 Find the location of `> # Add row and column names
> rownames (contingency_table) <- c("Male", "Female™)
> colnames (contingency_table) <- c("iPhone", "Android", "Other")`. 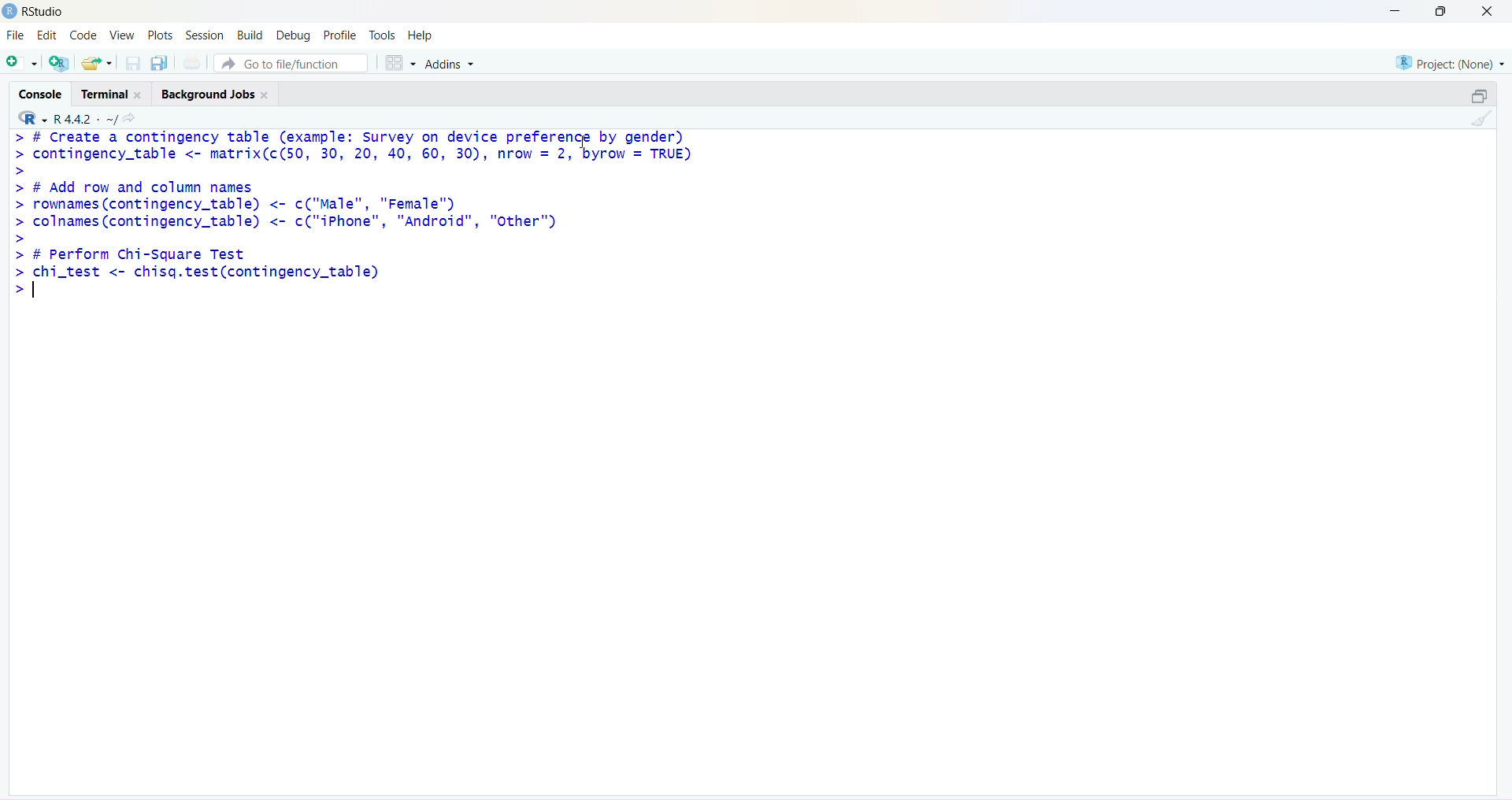

> # Add row and column names
> rownames (contingency_table) <- c("Male", "Female™)
> colnames (contingency_table) <- c("iPhone", "Android", "Other") is located at coordinates (286, 206).